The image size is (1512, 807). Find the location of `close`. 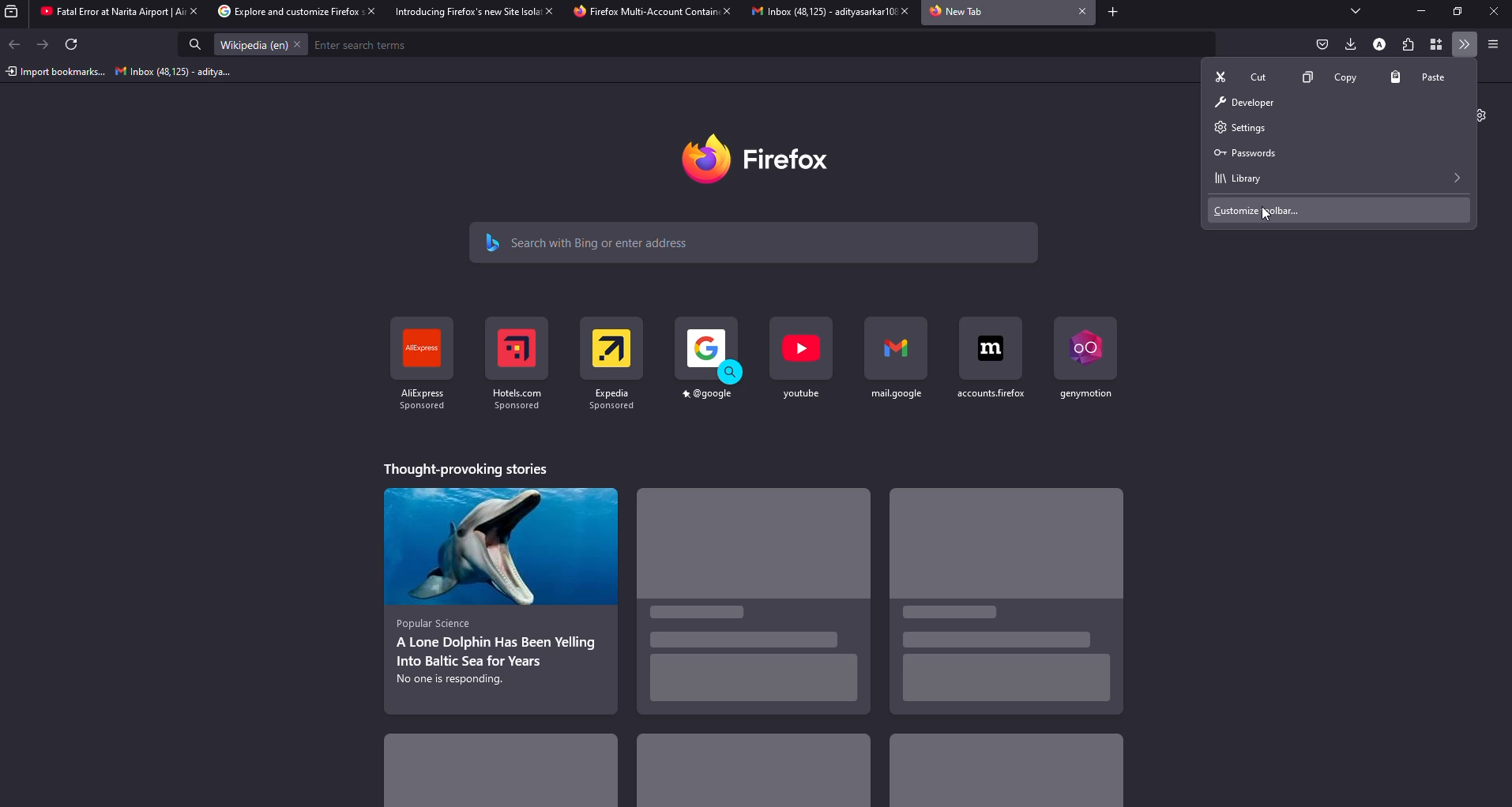

close is located at coordinates (1078, 12).